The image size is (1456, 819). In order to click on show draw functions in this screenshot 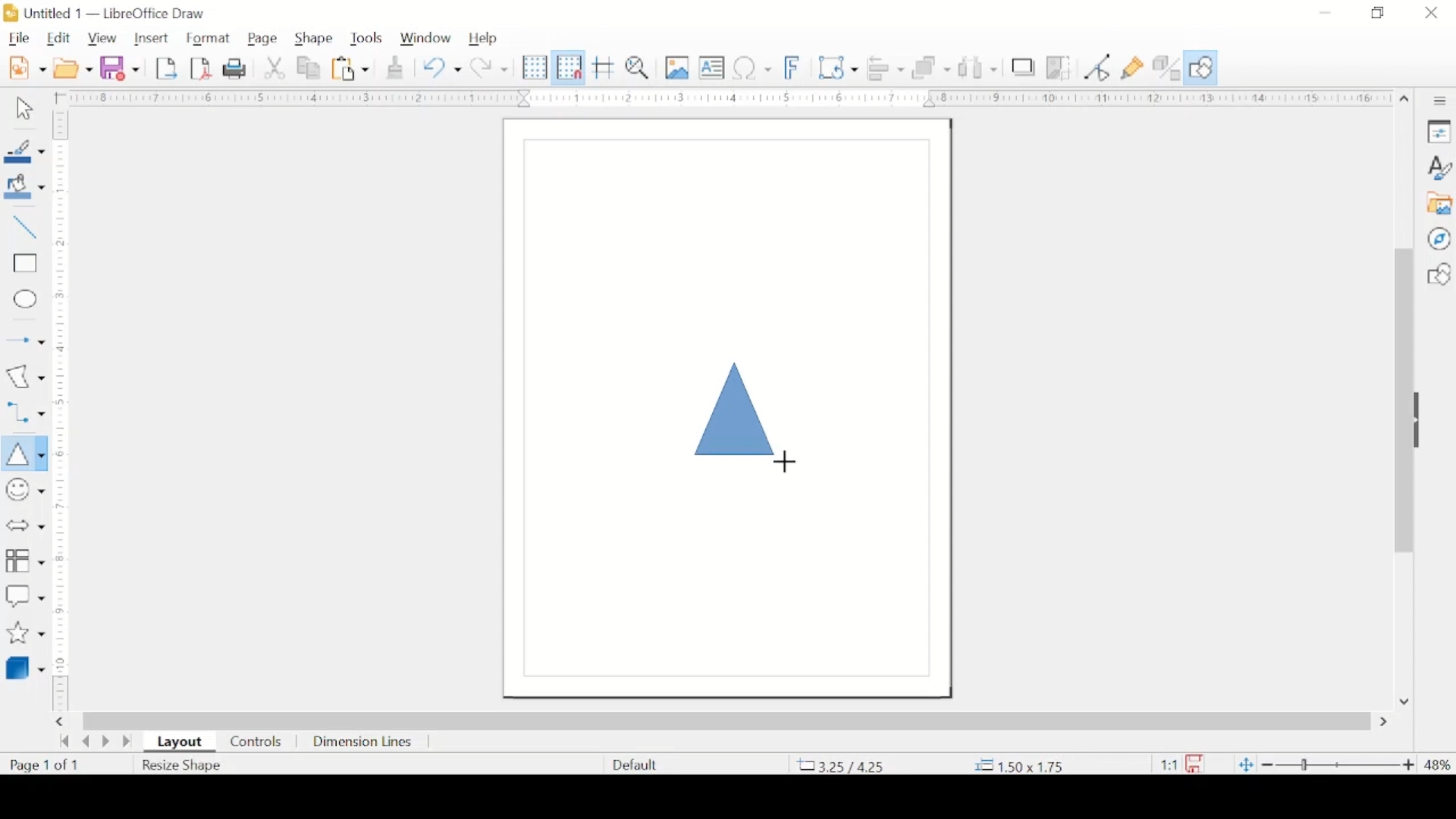, I will do `click(1203, 67)`.